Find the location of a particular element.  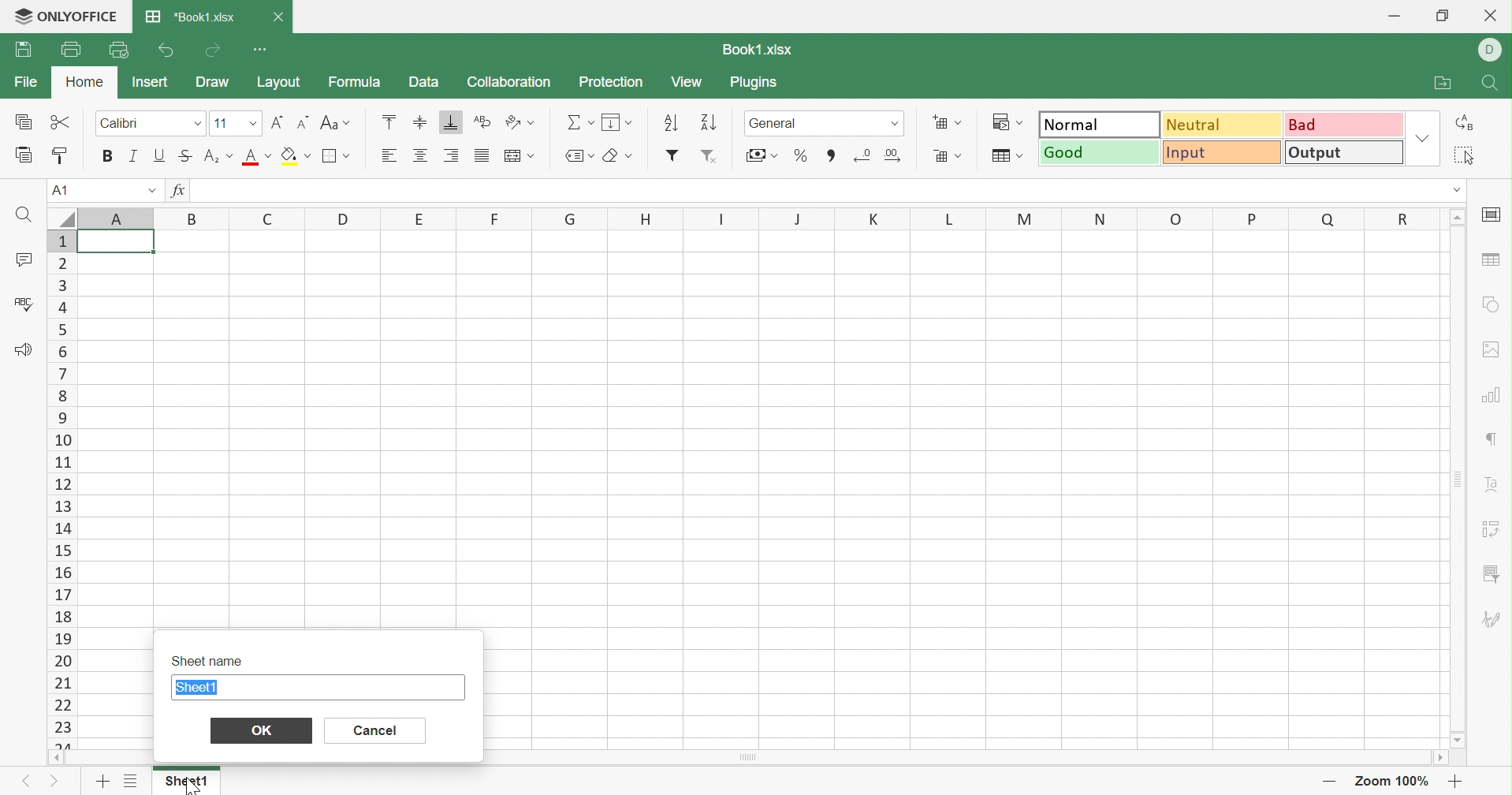

Align Right is located at coordinates (452, 157).